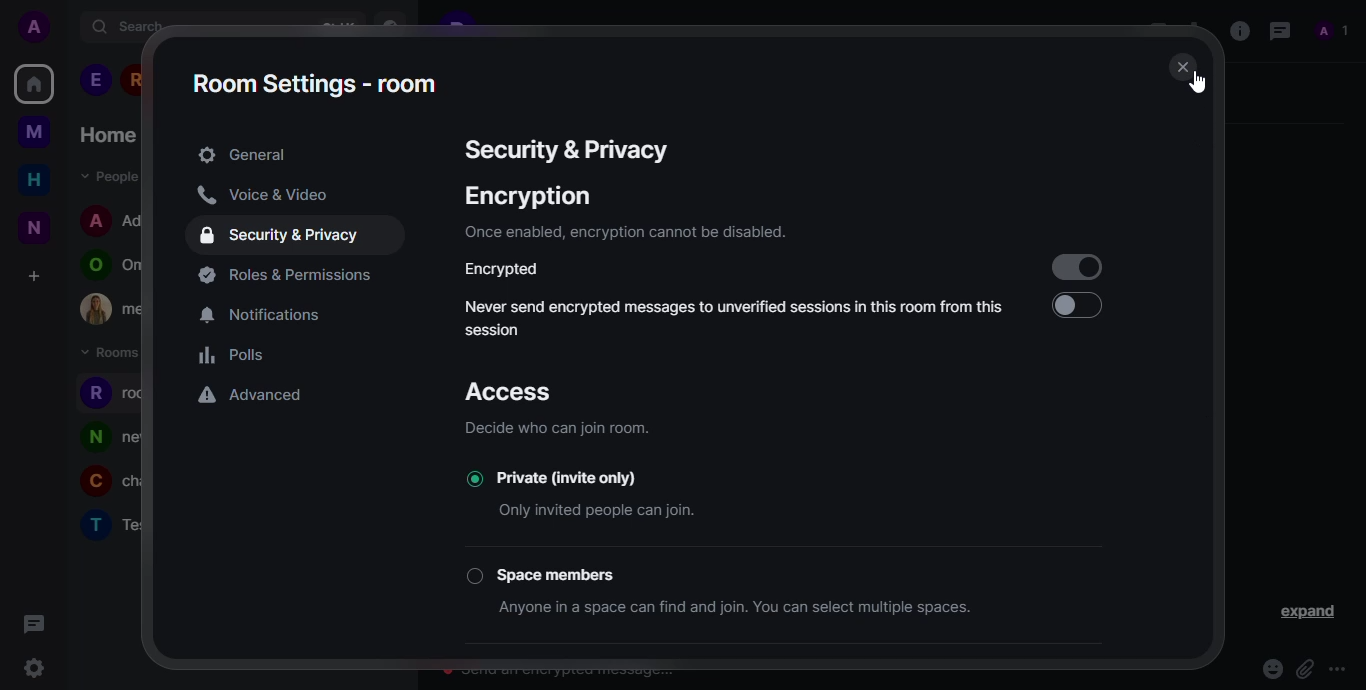  What do you see at coordinates (35, 624) in the screenshot?
I see `threads` at bounding box center [35, 624].